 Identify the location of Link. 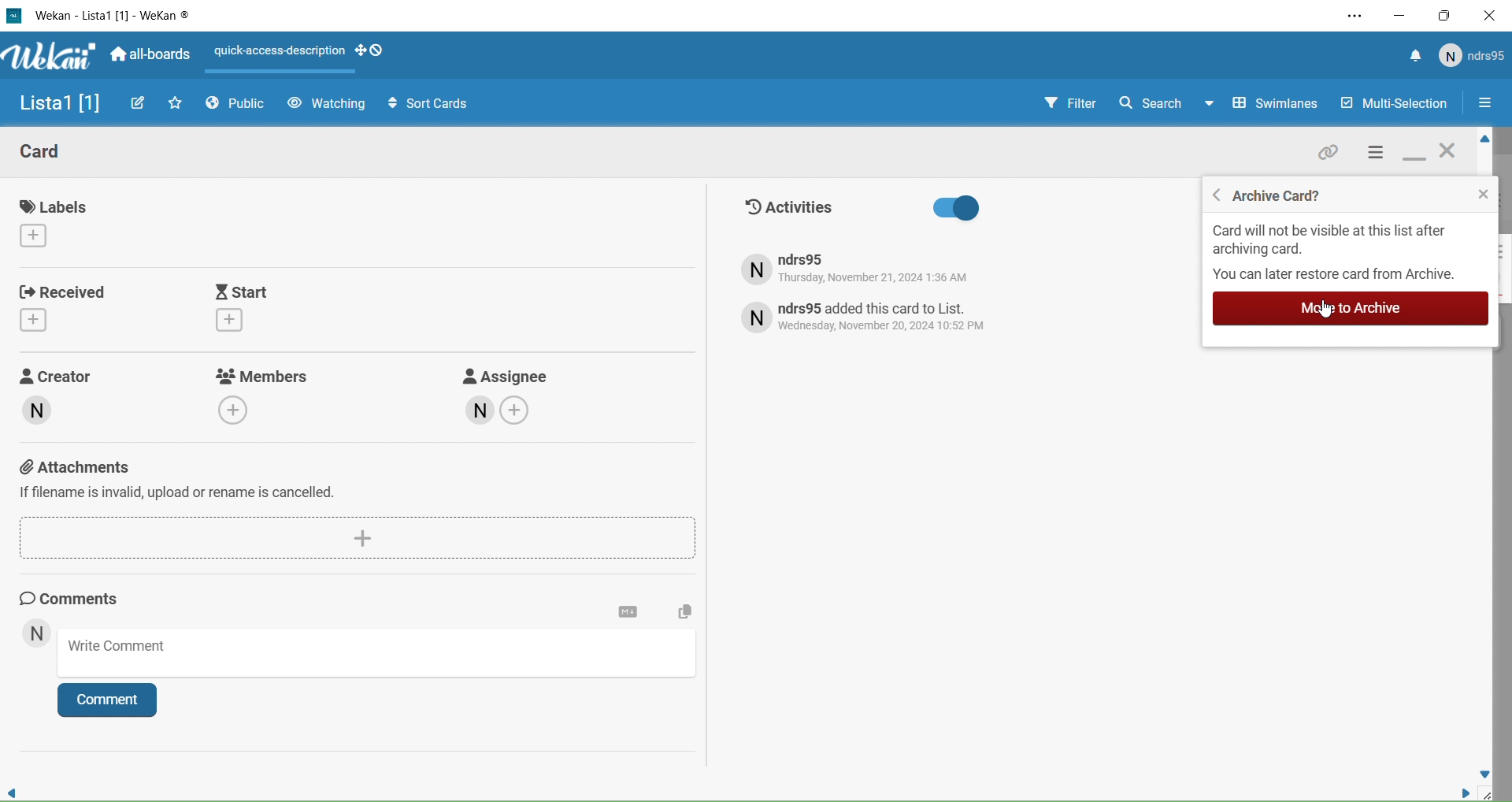
(1334, 155).